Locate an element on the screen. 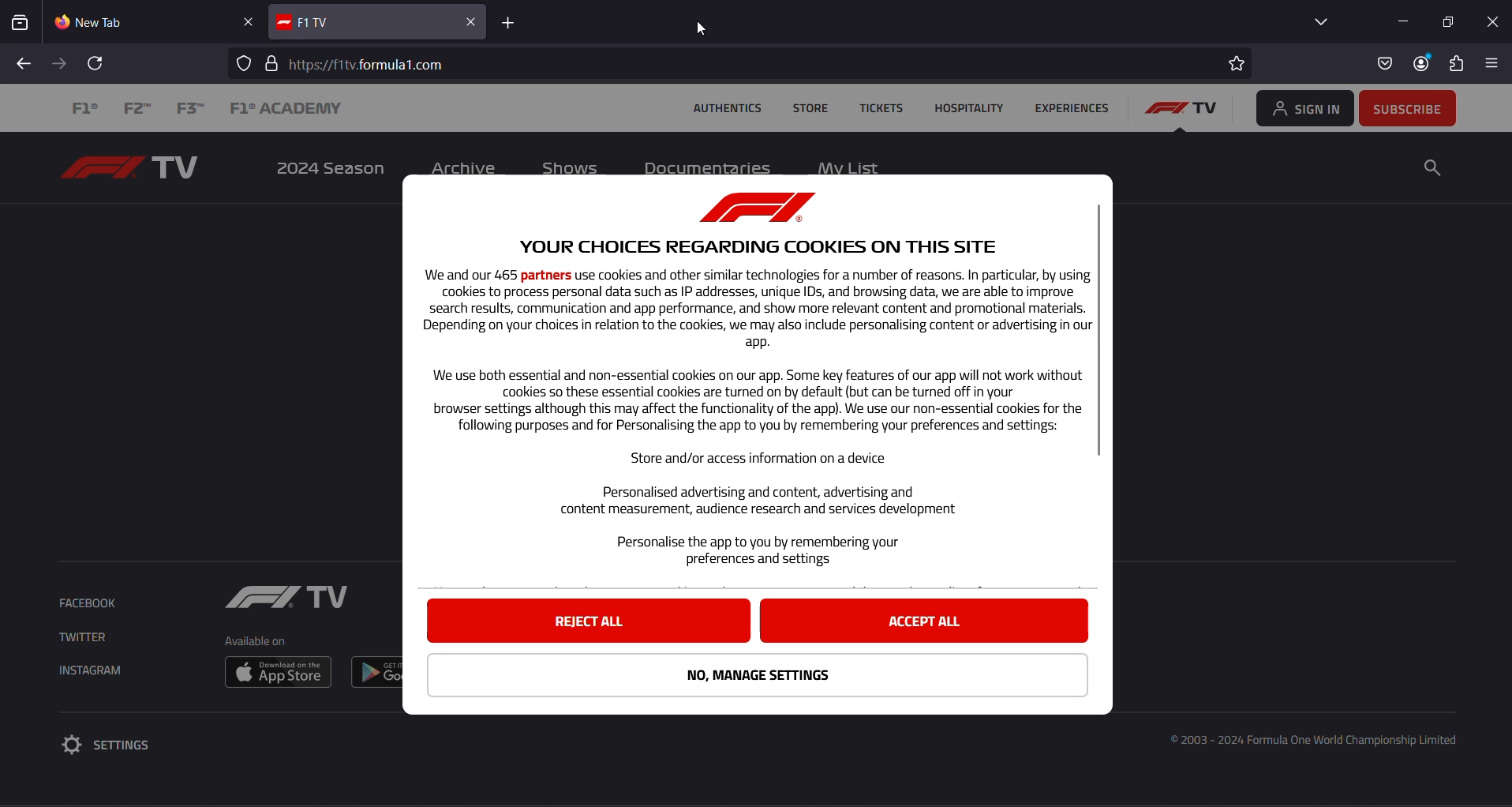 The width and height of the screenshot is (1512, 807). facebook is located at coordinates (92, 604).